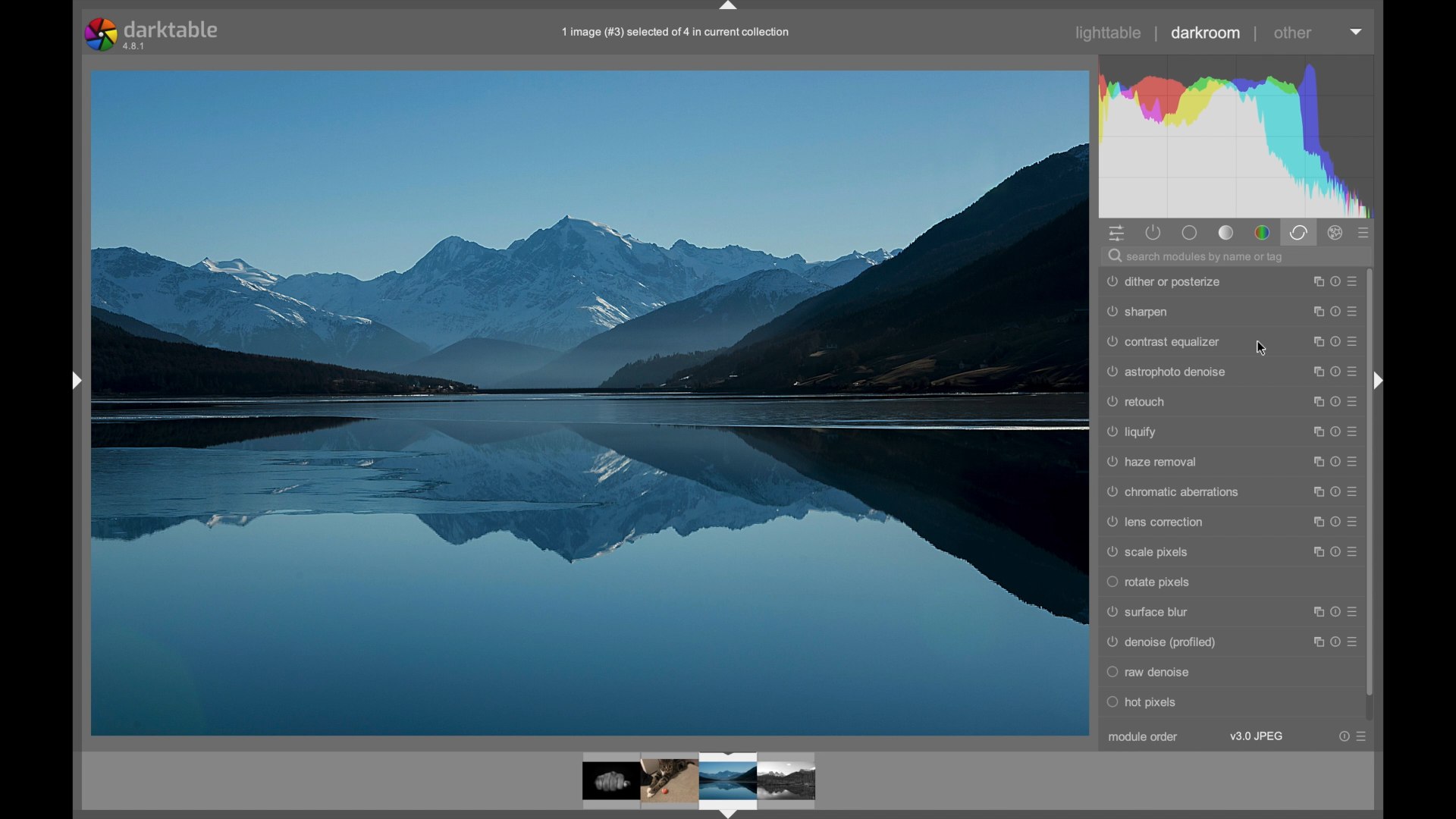  Describe the element at coordinates (1257, 736) in the screenshot. I see `v3.0 jpeg` at that location.